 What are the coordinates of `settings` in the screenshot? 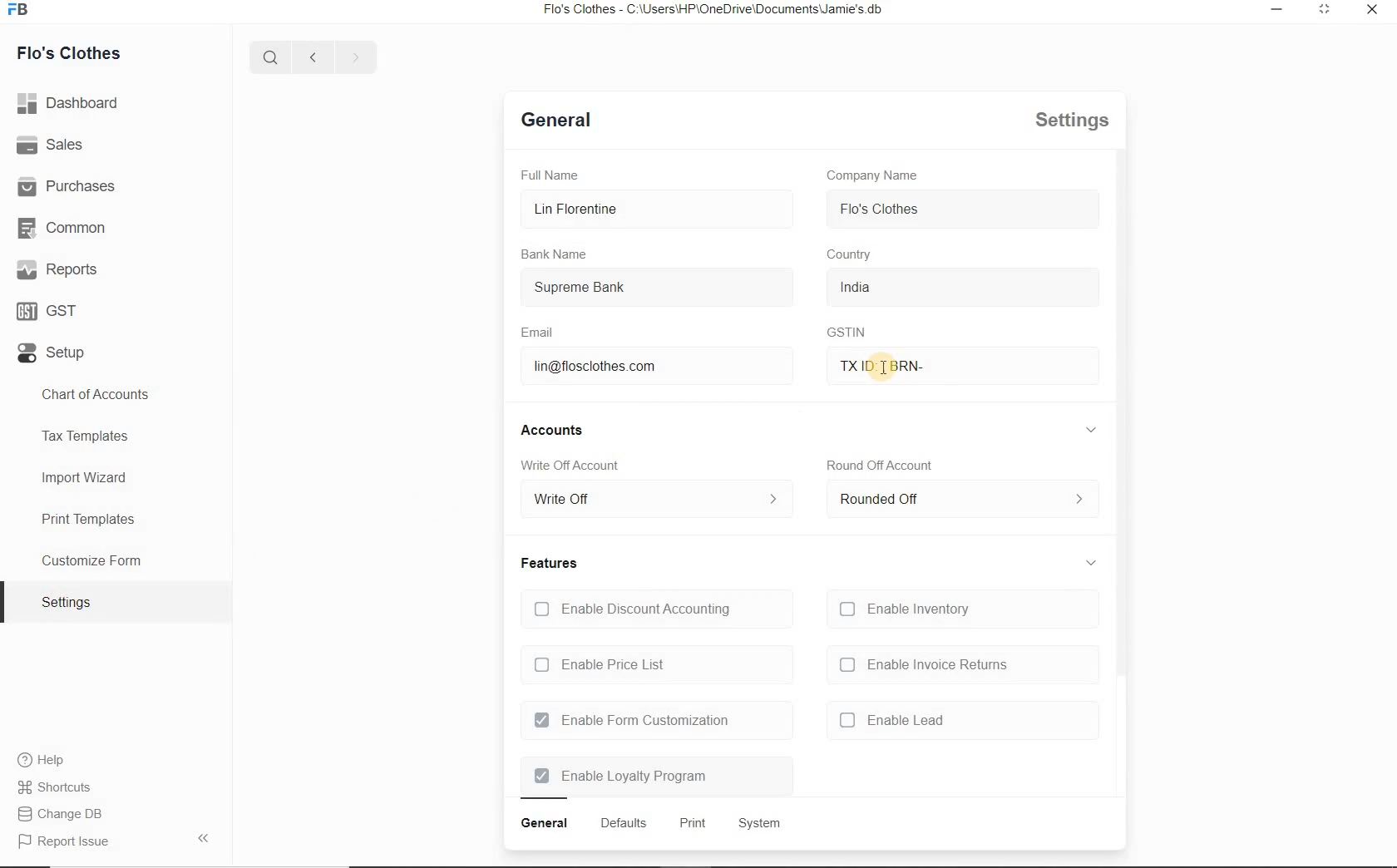 It's located at (67, 601).